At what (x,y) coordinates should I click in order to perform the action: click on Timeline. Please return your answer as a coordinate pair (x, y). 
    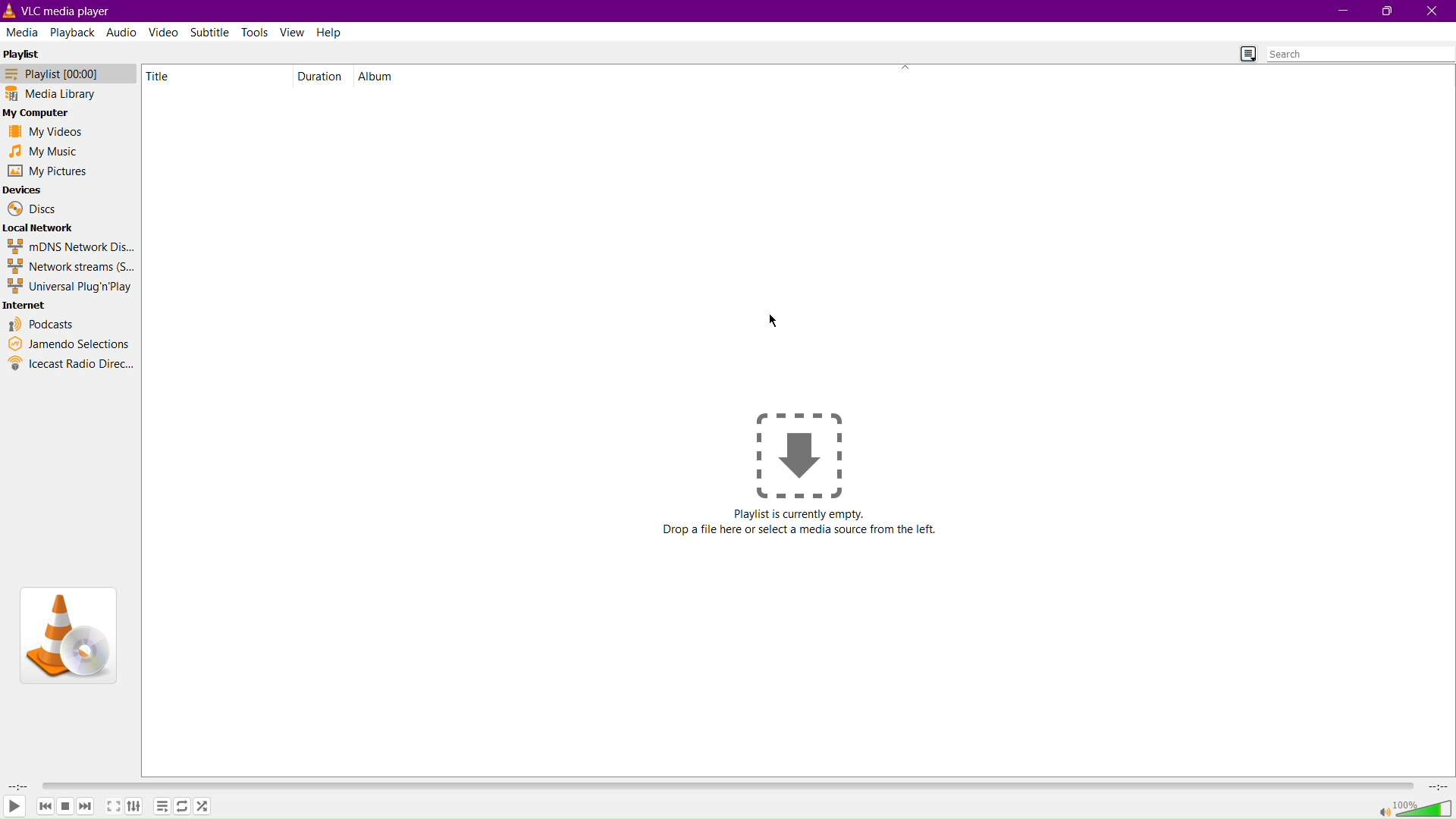
    Looking at the image, I should click on (730, 784).